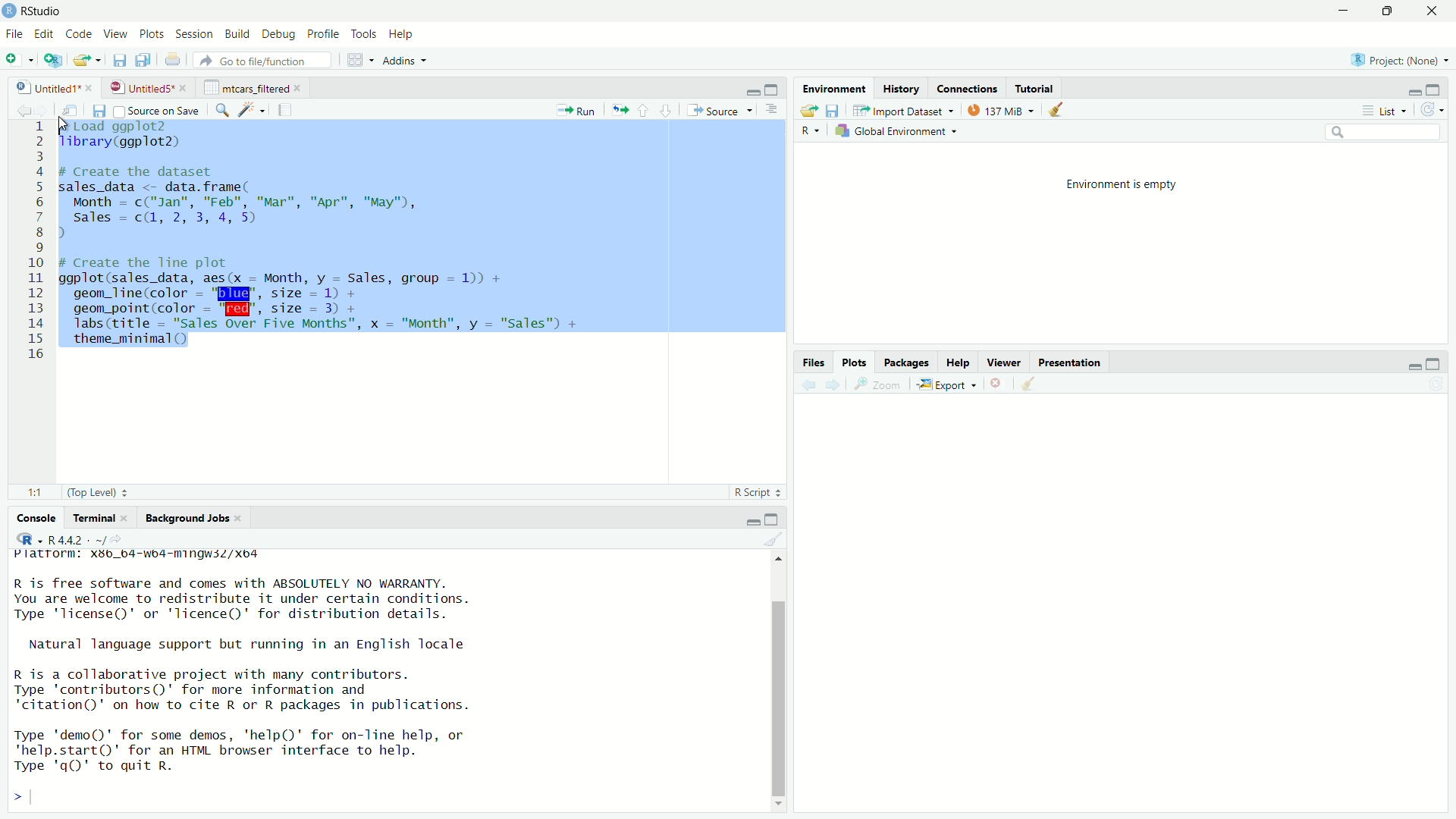 The width and height of the screenshot is (1456, 819). I want to click on R 4.4.2 .~/, so click(77, 540).